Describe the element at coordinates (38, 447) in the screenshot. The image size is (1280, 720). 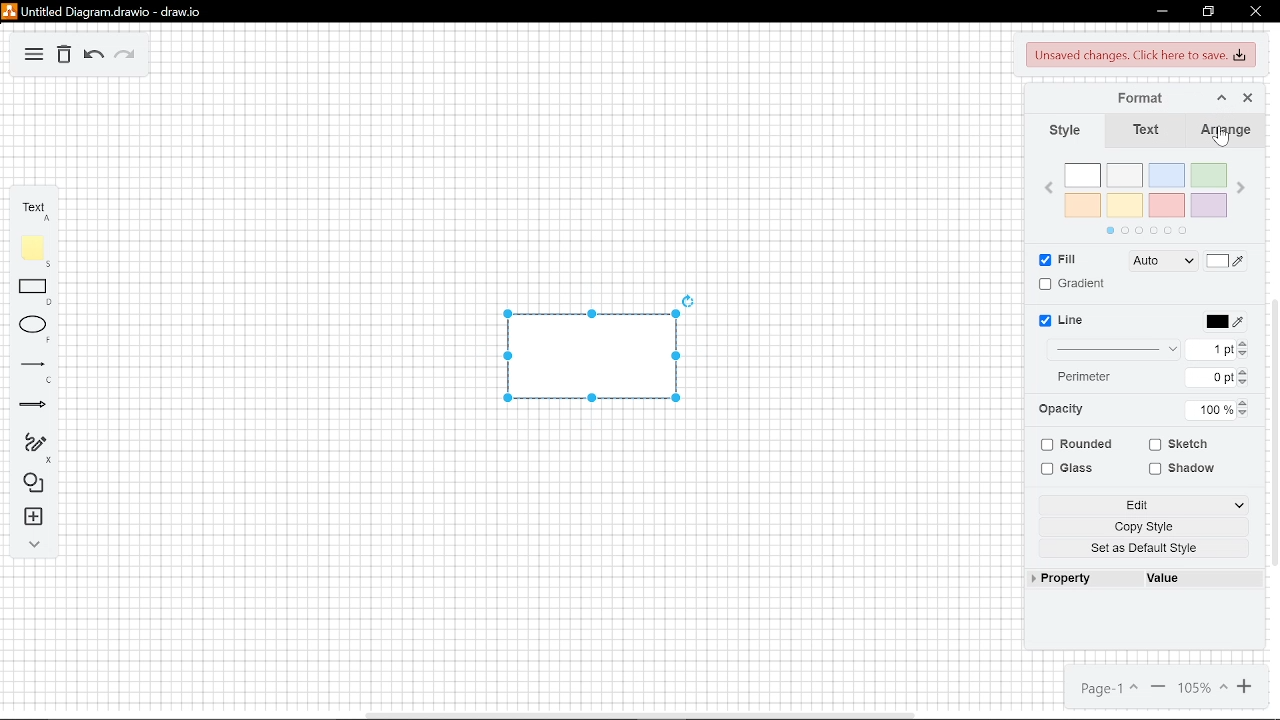
I see `freehand` at that location.